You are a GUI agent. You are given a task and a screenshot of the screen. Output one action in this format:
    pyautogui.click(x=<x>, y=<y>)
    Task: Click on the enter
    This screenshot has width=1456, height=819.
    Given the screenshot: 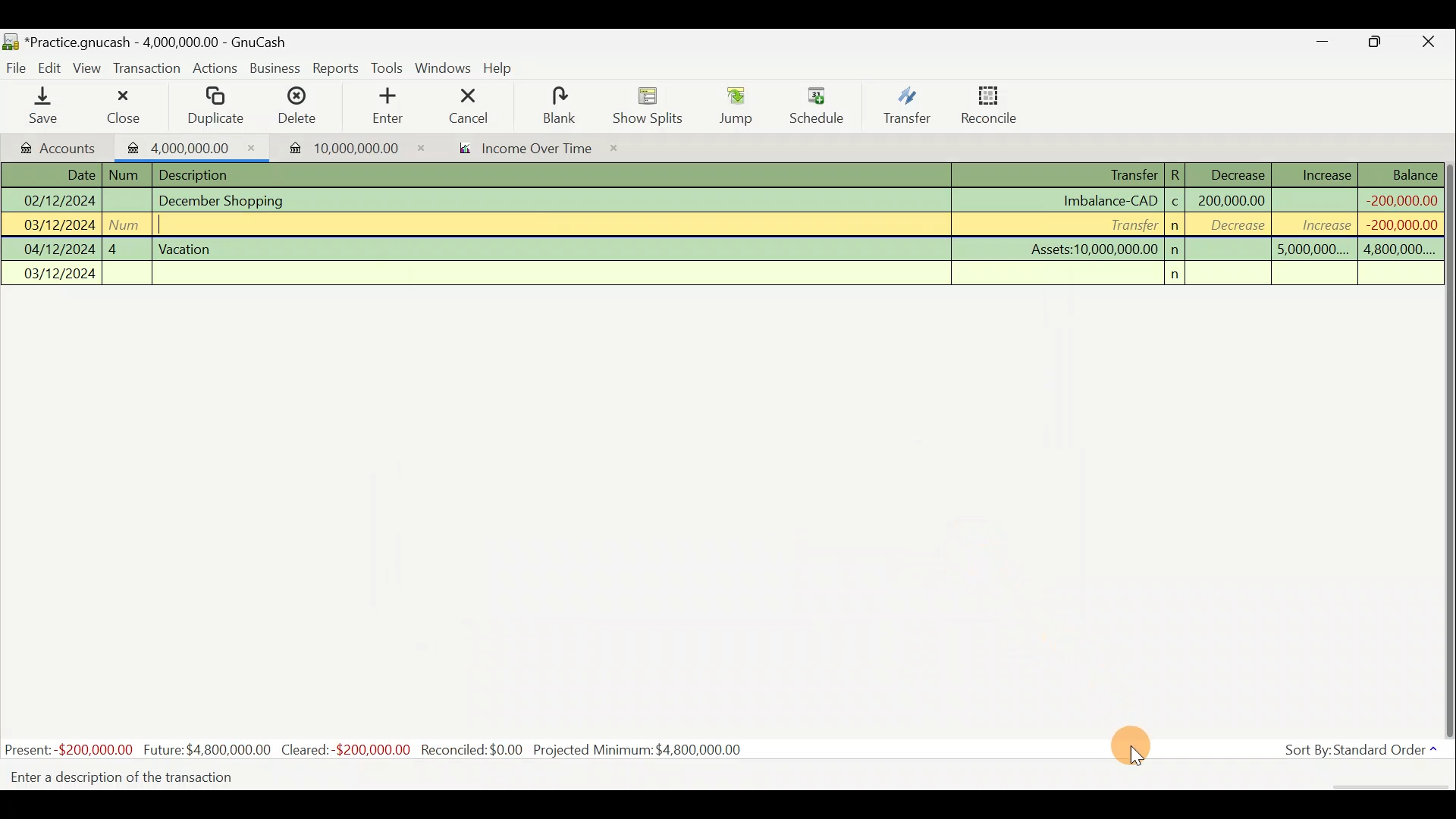 What is the action you would take?
    pyautogui.click(x=393, y=107)
    